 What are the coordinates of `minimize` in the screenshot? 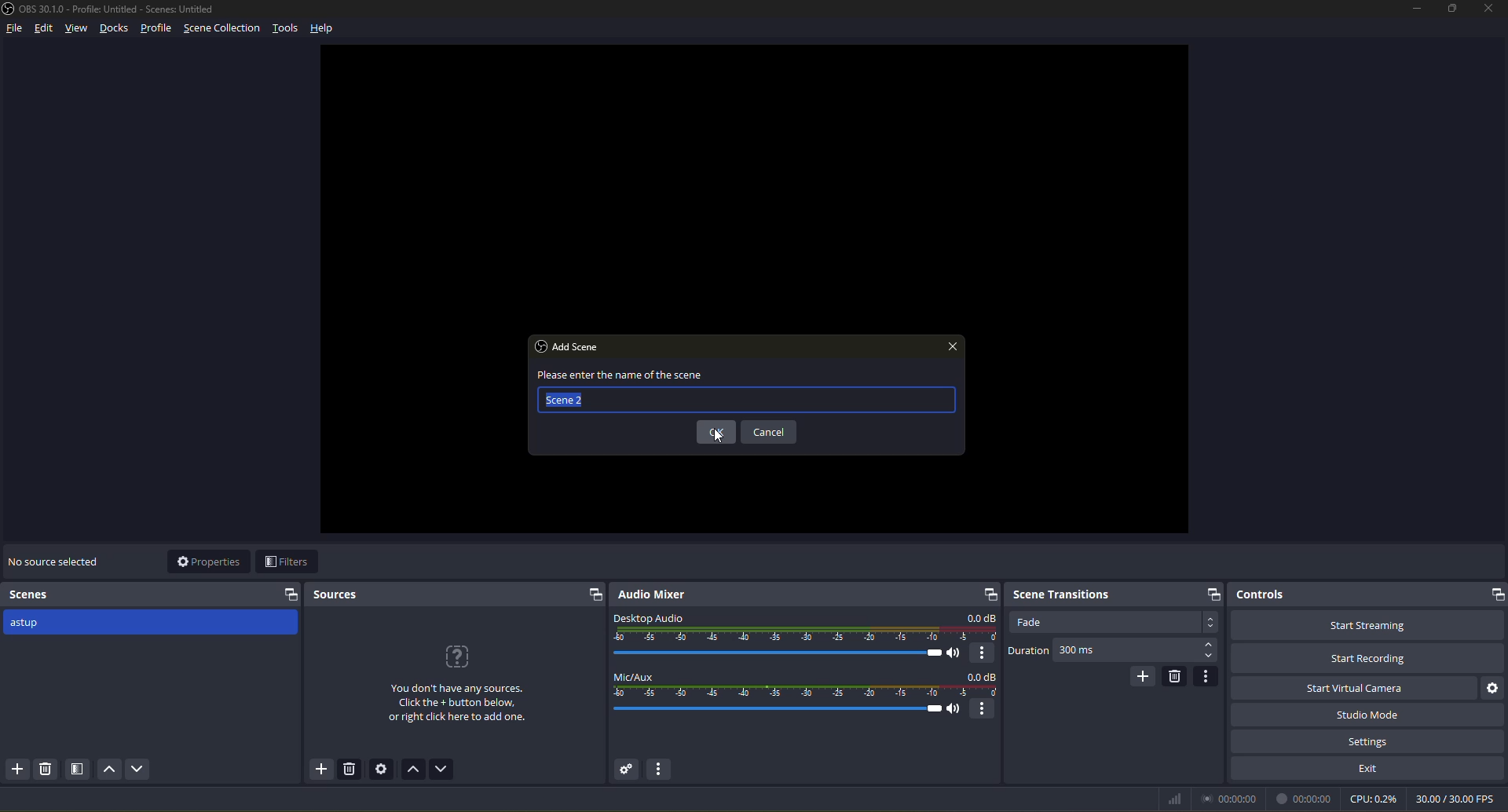 It's located at (1416, 9).